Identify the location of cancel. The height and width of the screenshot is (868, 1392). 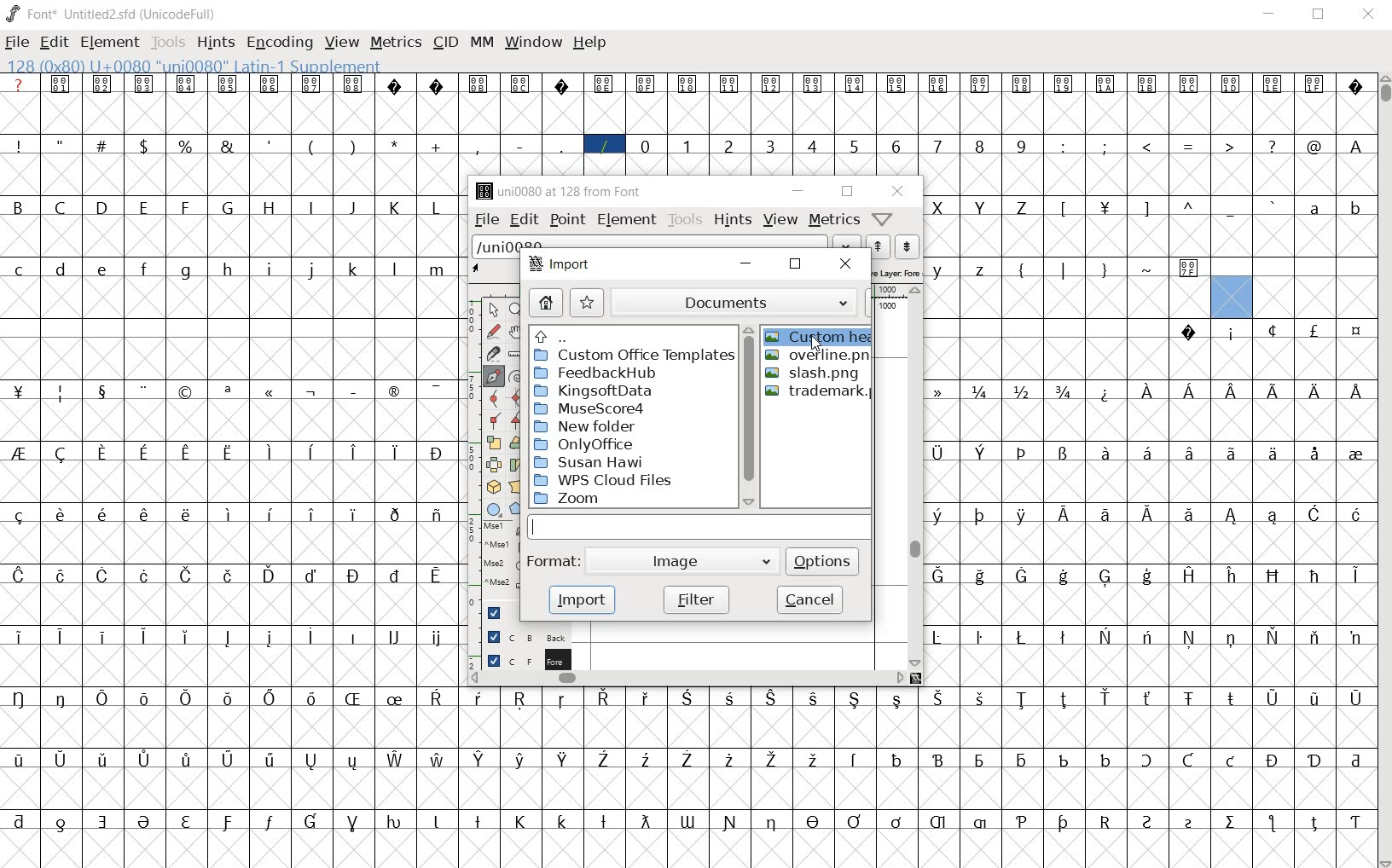
(809, 599).